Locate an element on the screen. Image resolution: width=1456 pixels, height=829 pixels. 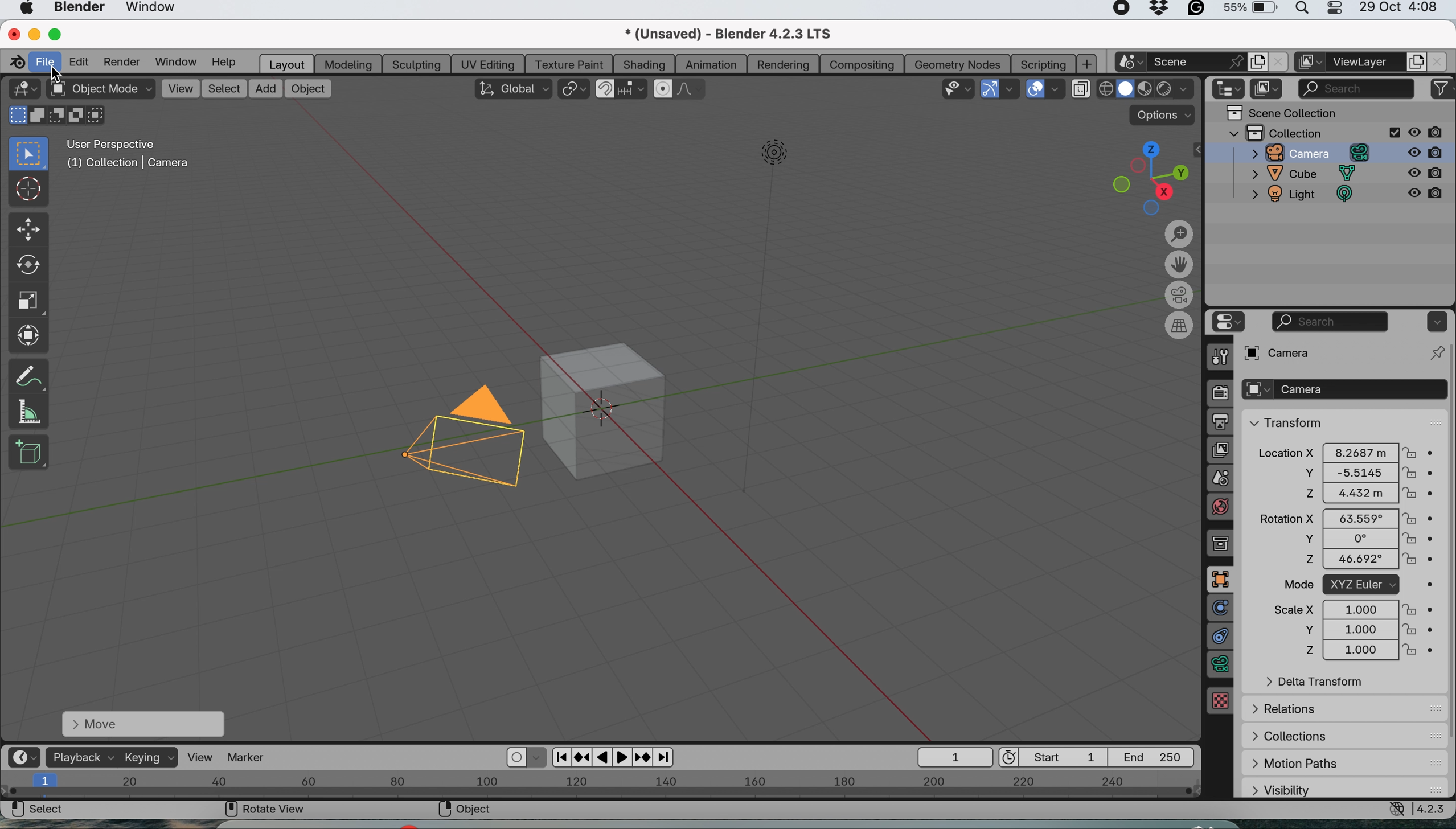
pin is located at coordinates (1435, 352).